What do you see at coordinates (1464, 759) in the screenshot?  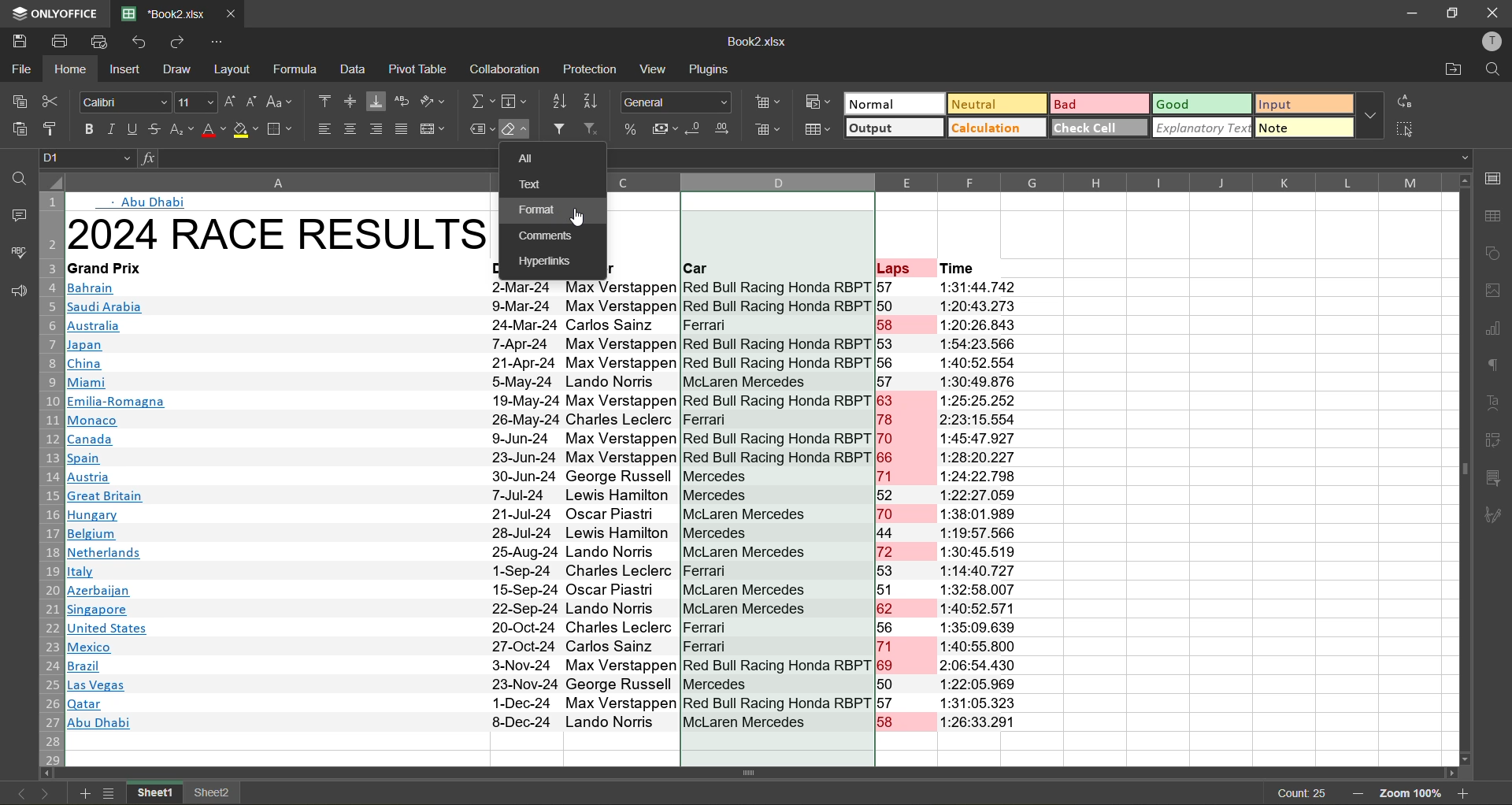 I see `move down` at bounding box center [1464, 759].